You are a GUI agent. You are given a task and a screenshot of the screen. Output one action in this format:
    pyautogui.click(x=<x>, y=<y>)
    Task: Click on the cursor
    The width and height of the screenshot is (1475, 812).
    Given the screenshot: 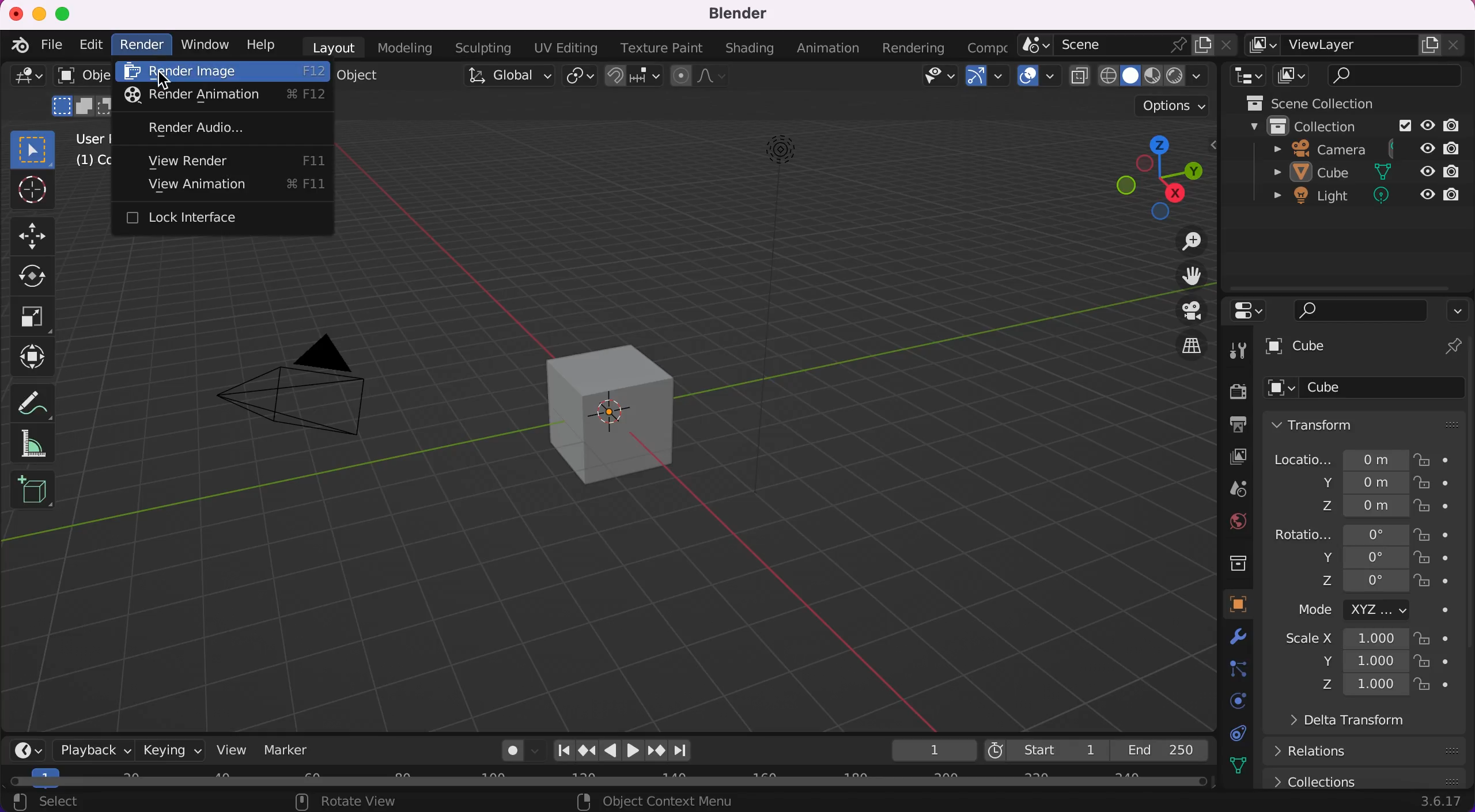 What is the action you would take?
    pyautogui.click(x=32, y=191)
    